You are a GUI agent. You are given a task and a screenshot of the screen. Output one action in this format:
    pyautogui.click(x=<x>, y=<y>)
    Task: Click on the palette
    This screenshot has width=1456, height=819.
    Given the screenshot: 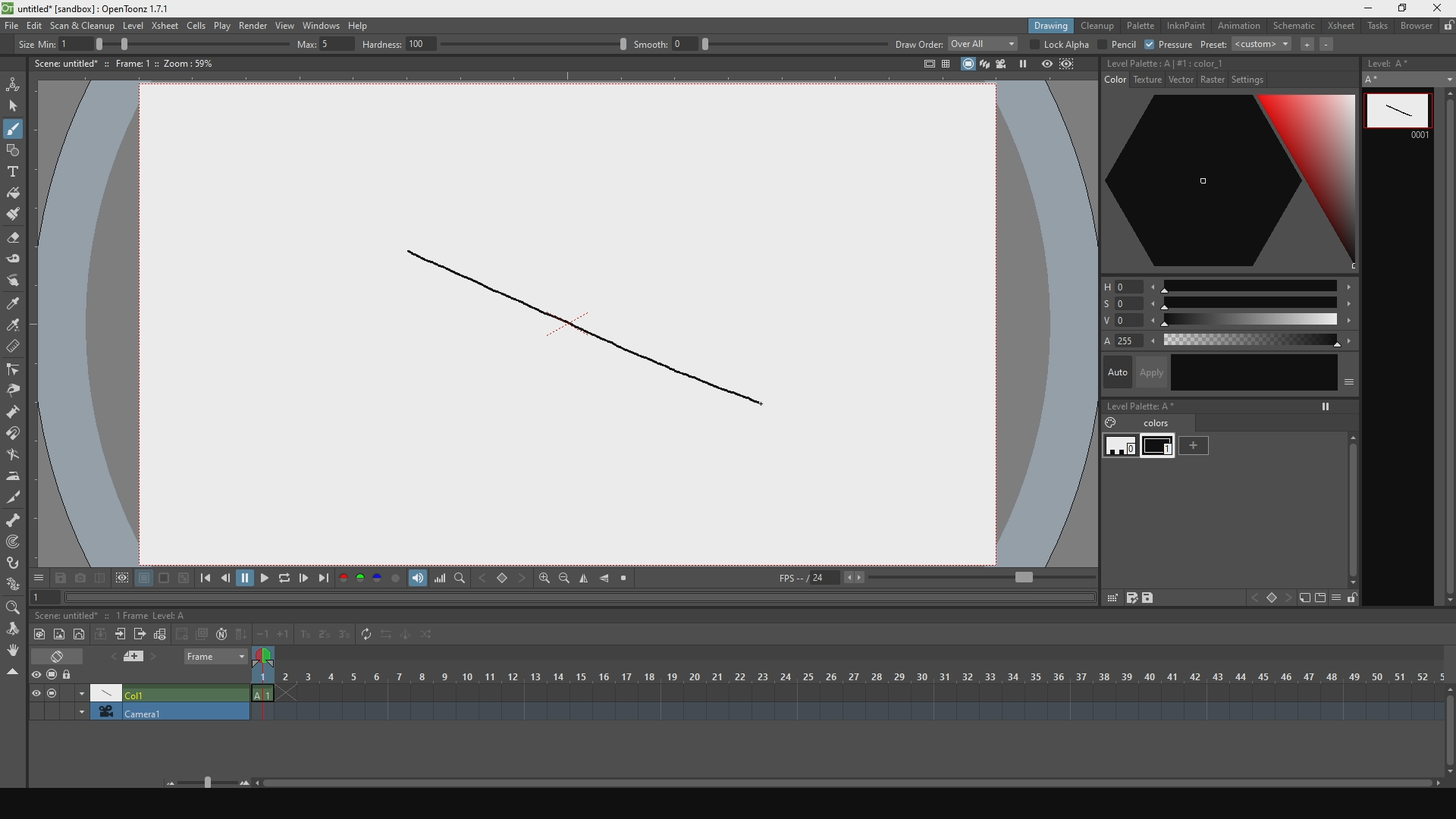 What is the action you would take?
    pyautogui.click(x=1141, y=27)
    